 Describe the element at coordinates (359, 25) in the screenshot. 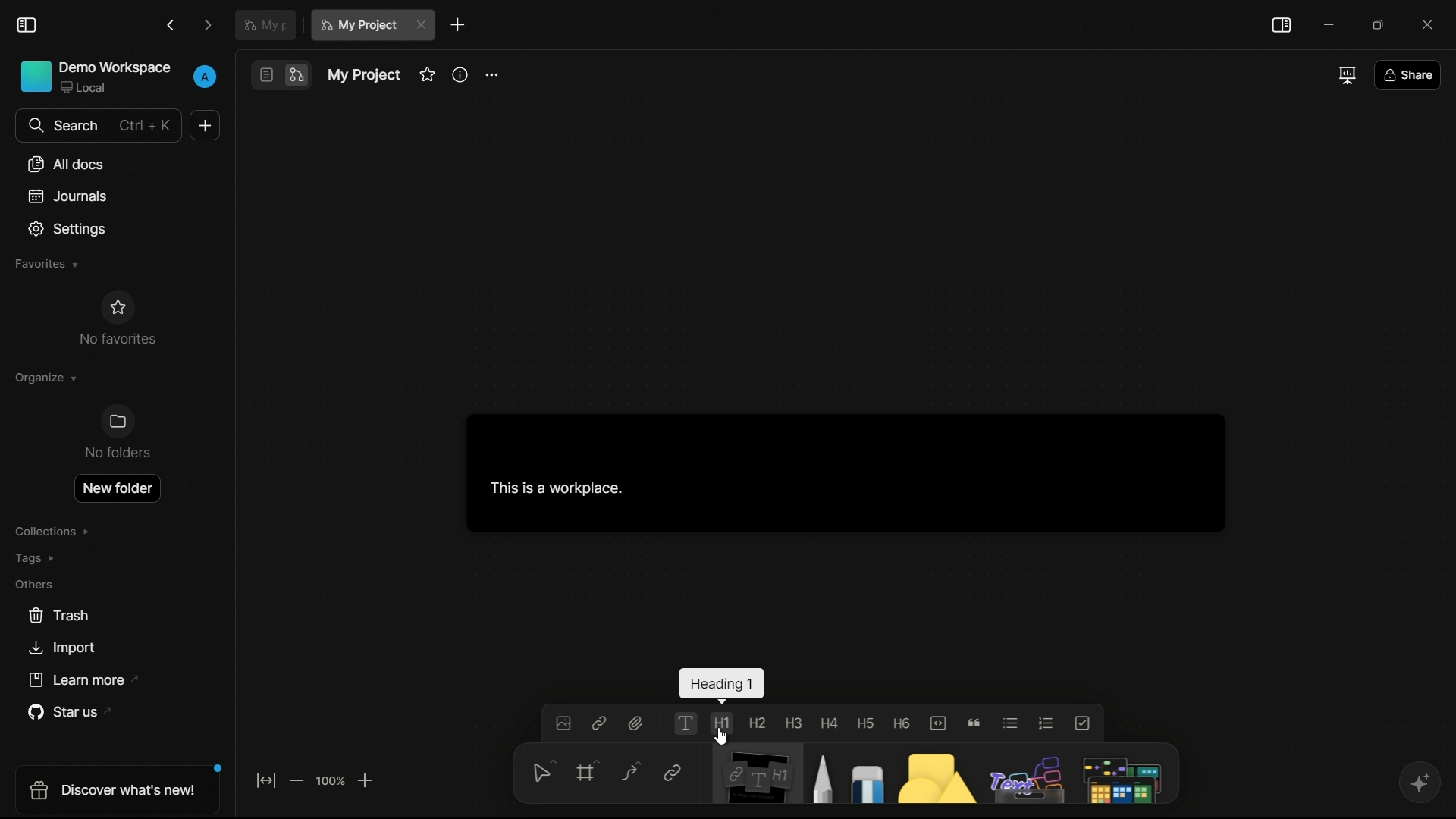

I see `current document name` at that location.